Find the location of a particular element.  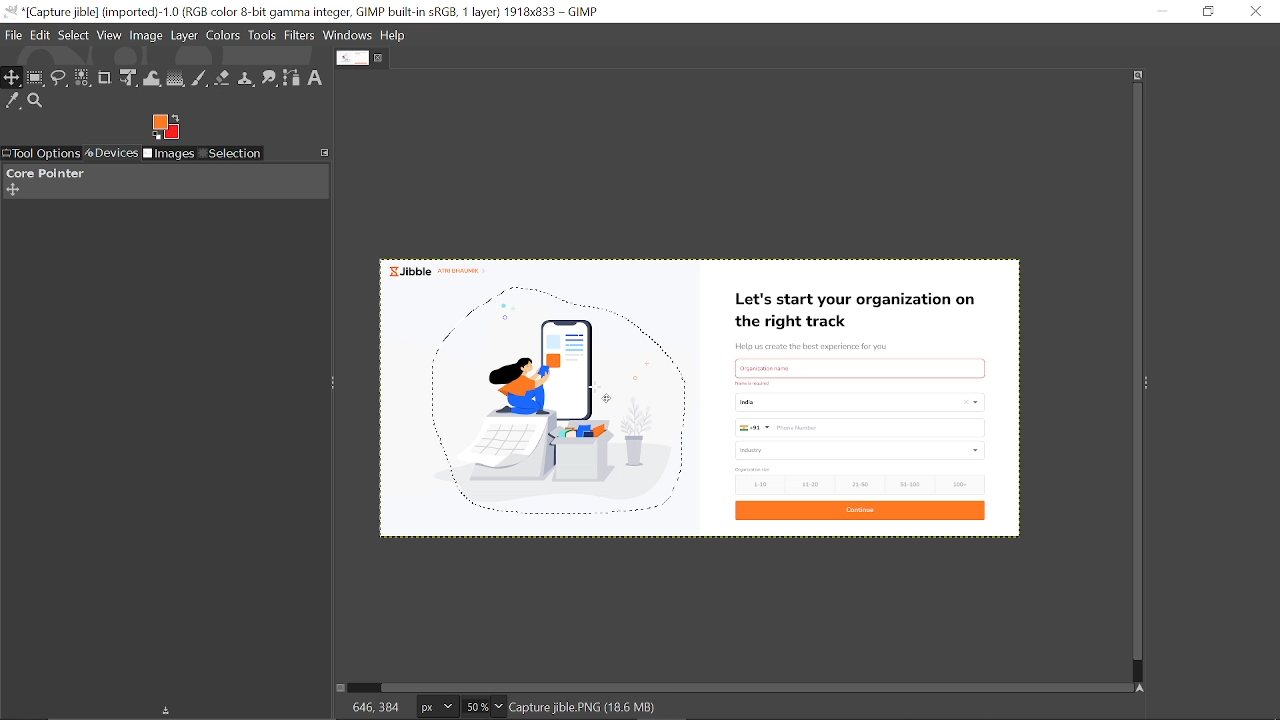

Current tab is located at coordinates (353, 57).